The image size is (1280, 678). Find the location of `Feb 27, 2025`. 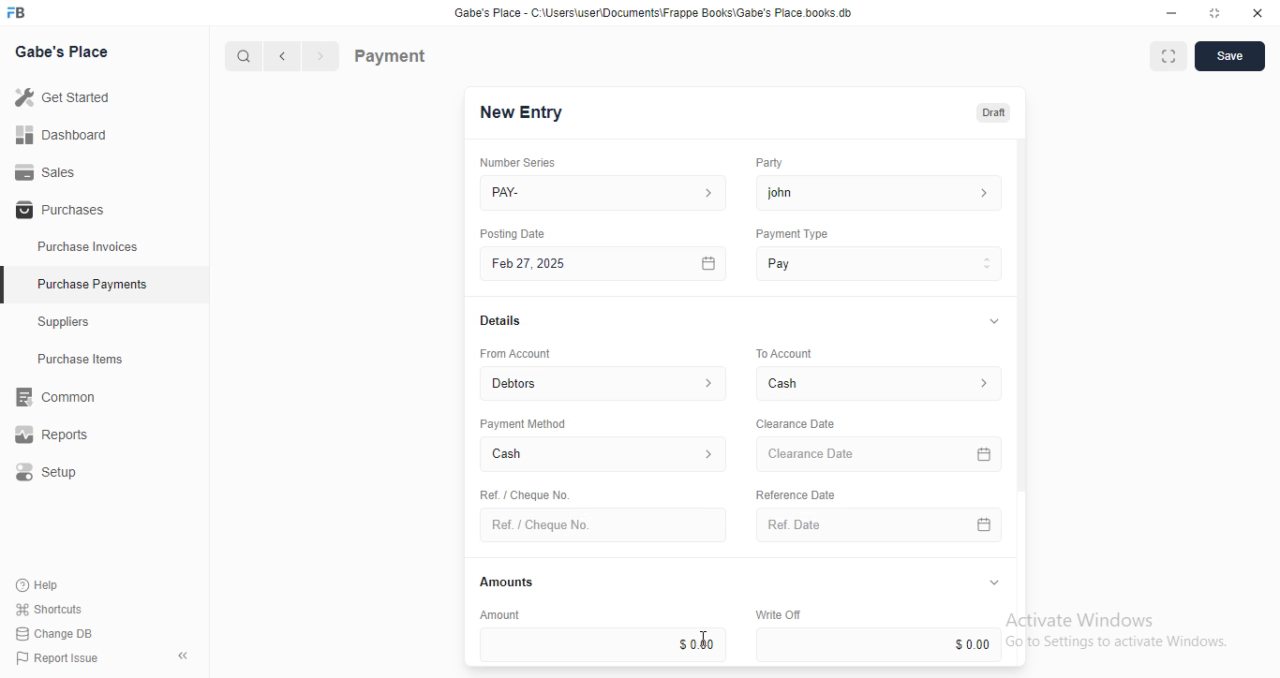

Feb 27, 2025 is located at coordinates (606, 264).